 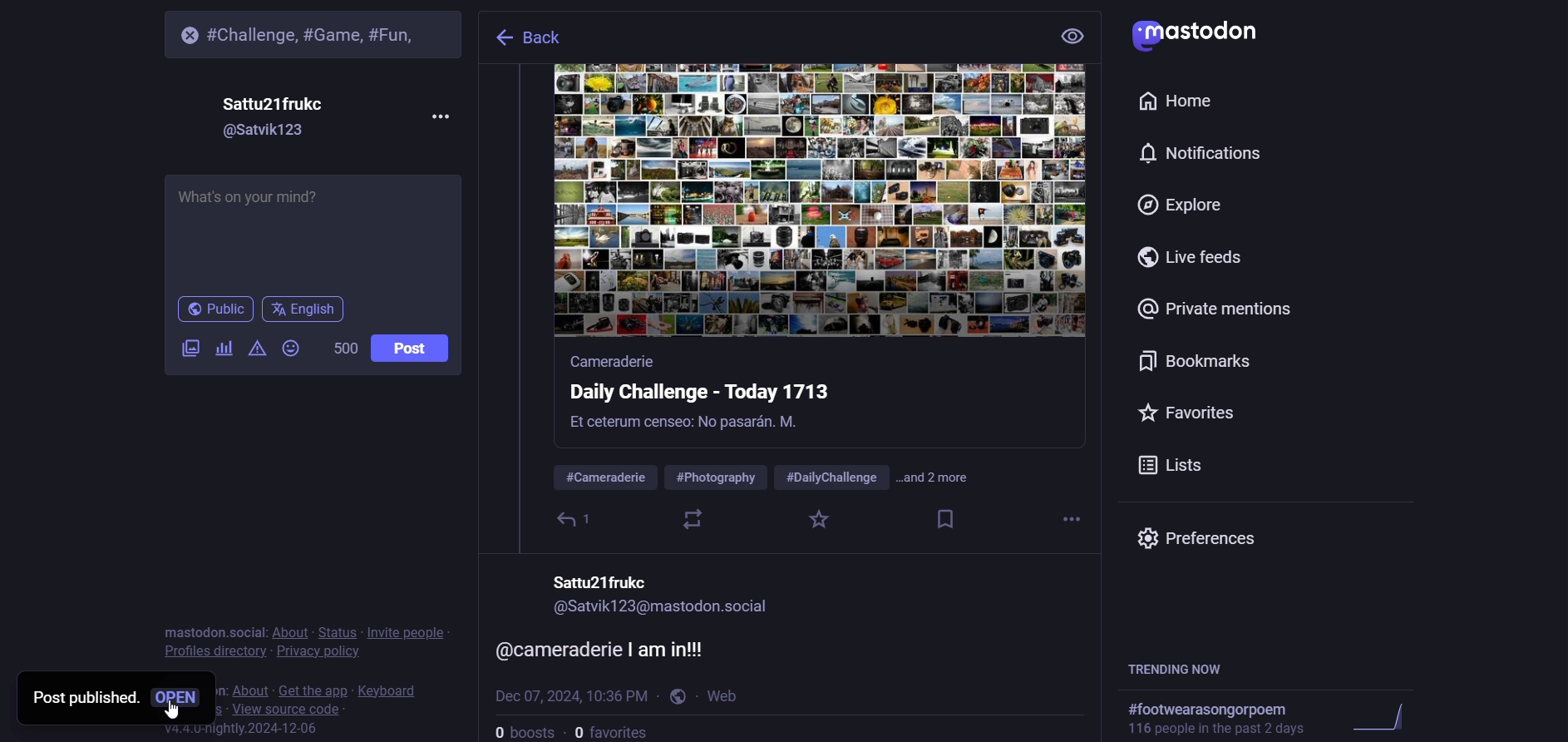 What do you see at coordinates (274, 104) in the screenshot?
I see `name` at bounding box center [274, 104].